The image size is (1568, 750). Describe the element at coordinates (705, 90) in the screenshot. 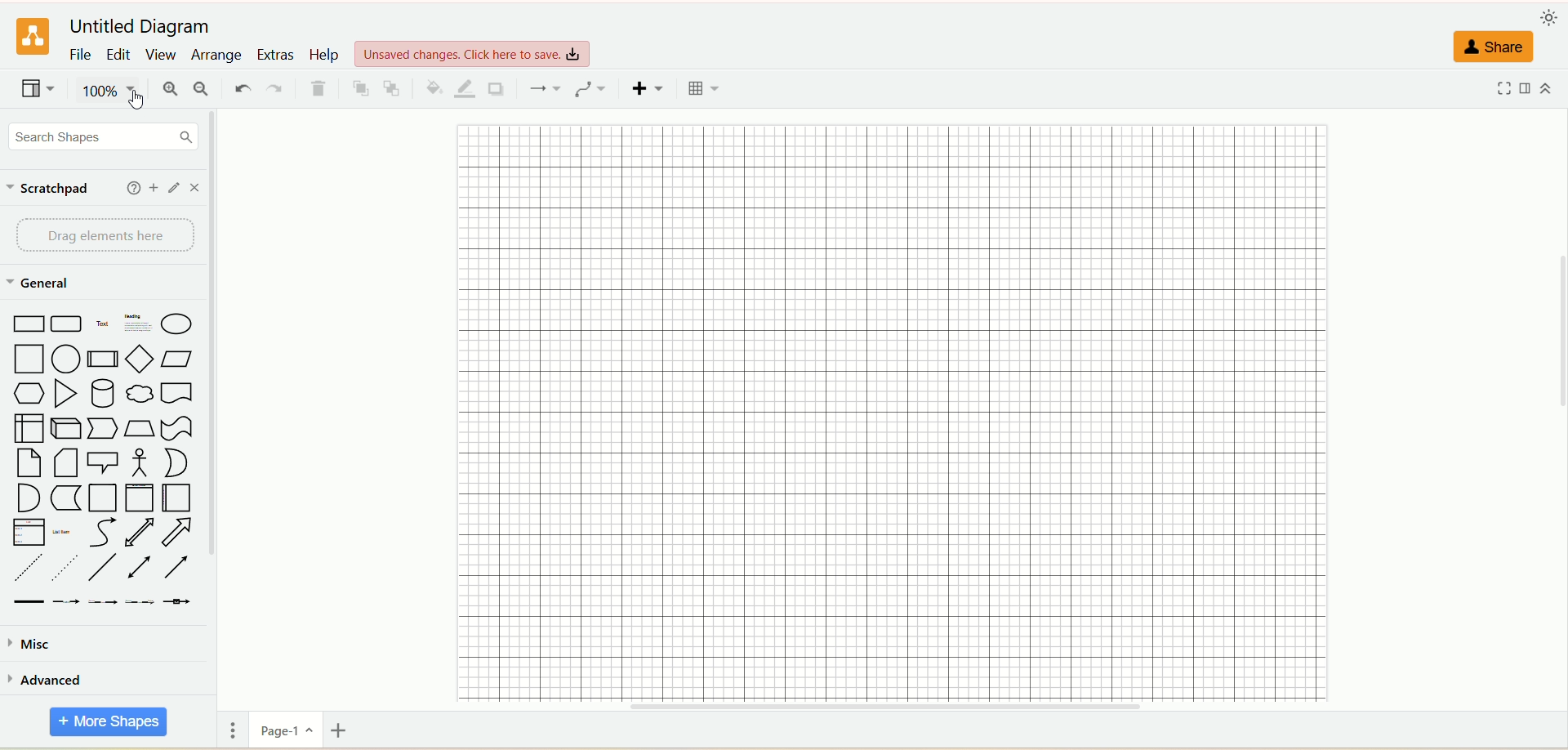

I see `Table` at that location.